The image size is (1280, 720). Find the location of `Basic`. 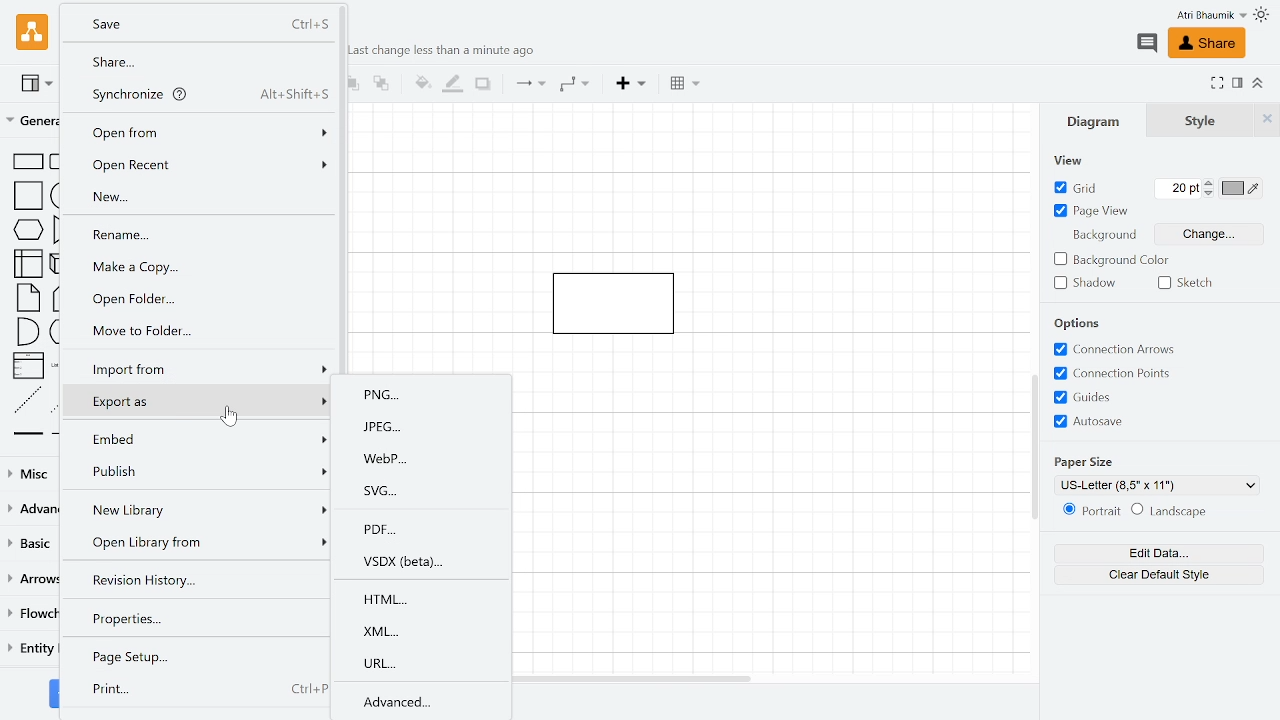

Basic is located at coordinates (29, 542).